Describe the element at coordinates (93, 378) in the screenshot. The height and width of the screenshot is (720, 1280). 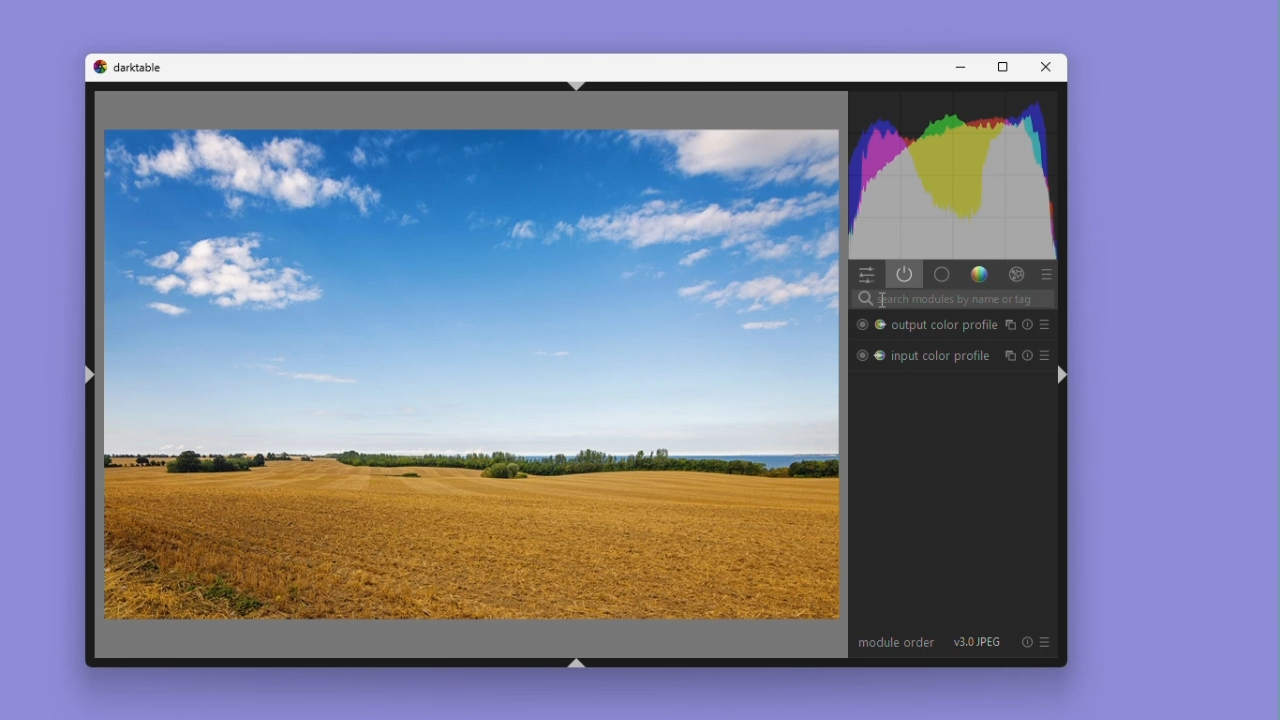
I see `shift+ctrl+l` at that location.